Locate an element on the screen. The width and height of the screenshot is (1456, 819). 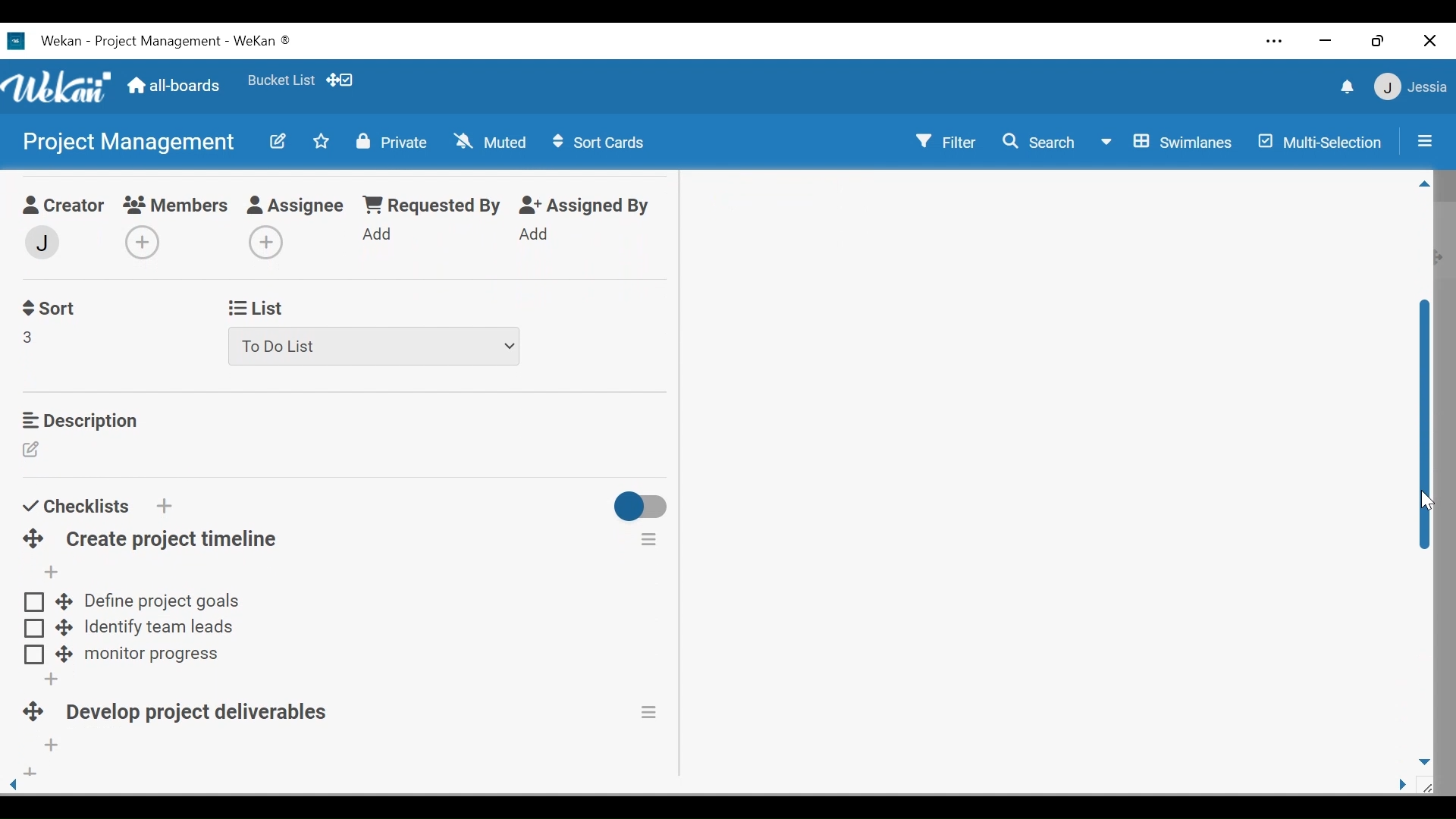
Vertical scroll bar is located at coordinates (1426, 428).